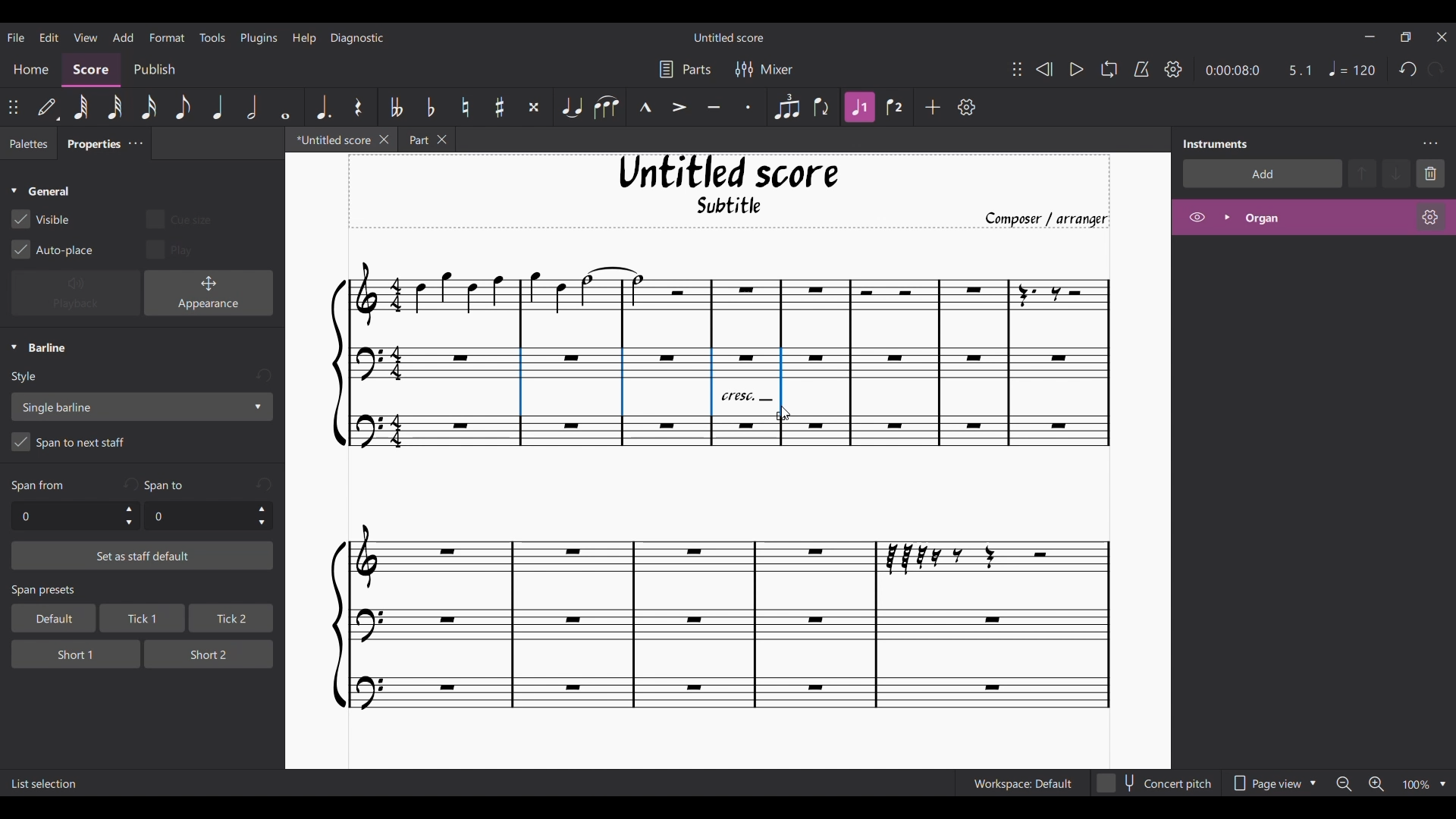 The width and height of the screenshot is (1456, 819). Describe the element at coordinates (197, 516) in the screenshot. I see `Type in Span to` at that location.